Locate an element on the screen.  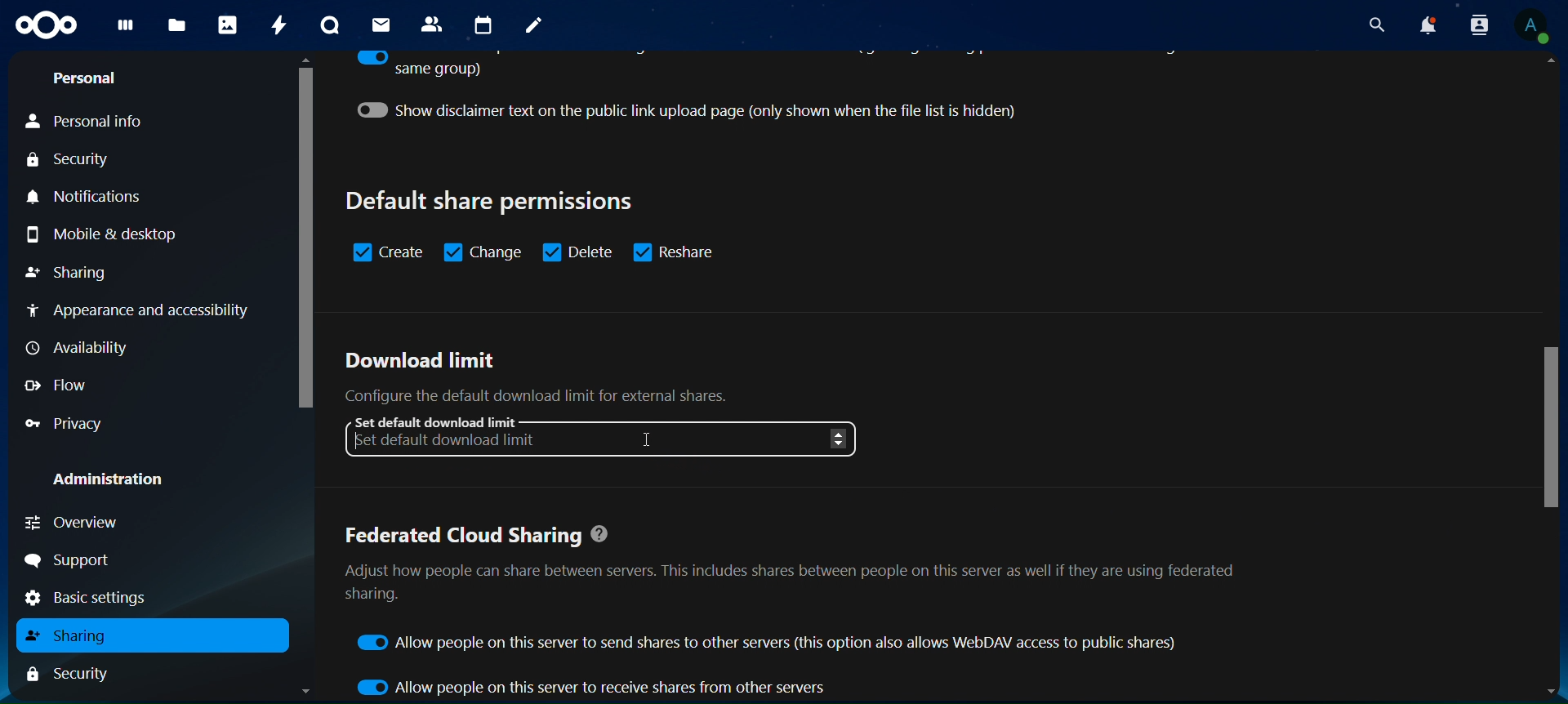
same group is located at coordinates (418, 65).